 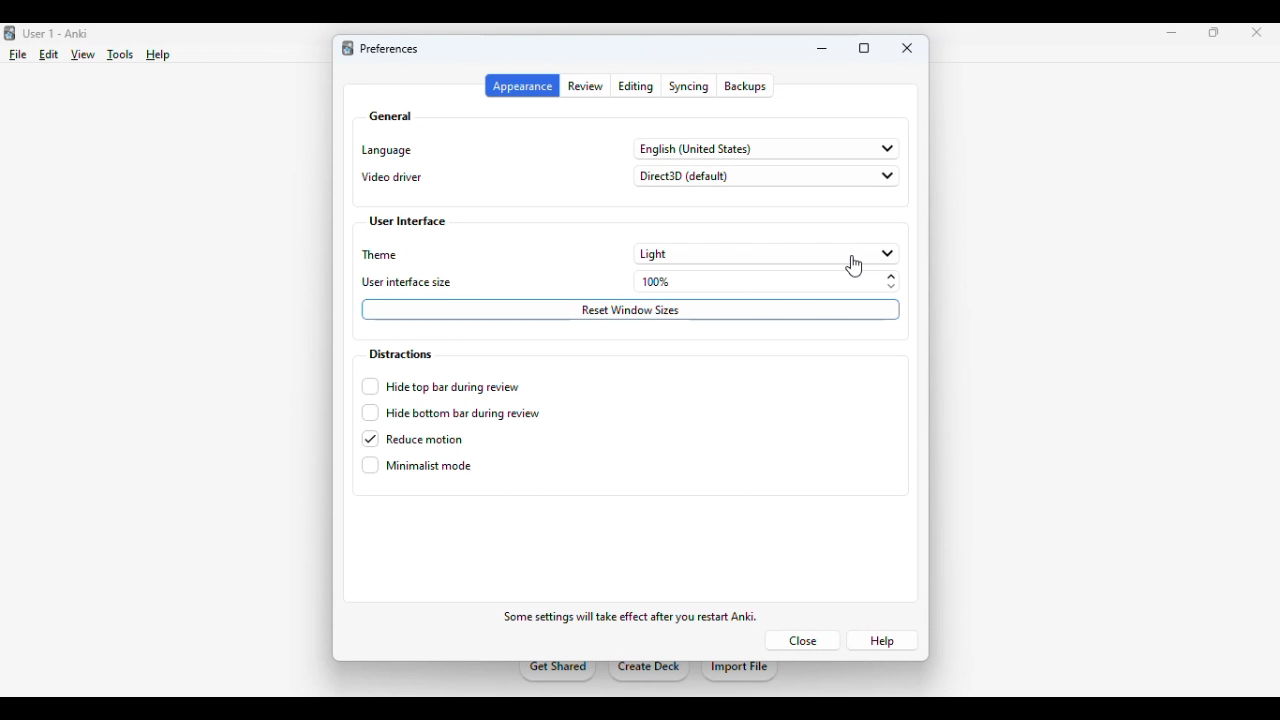 What do you see at coordinates (802, 640) in the screenshot?
I see `close` at bounding box center [802, 640].